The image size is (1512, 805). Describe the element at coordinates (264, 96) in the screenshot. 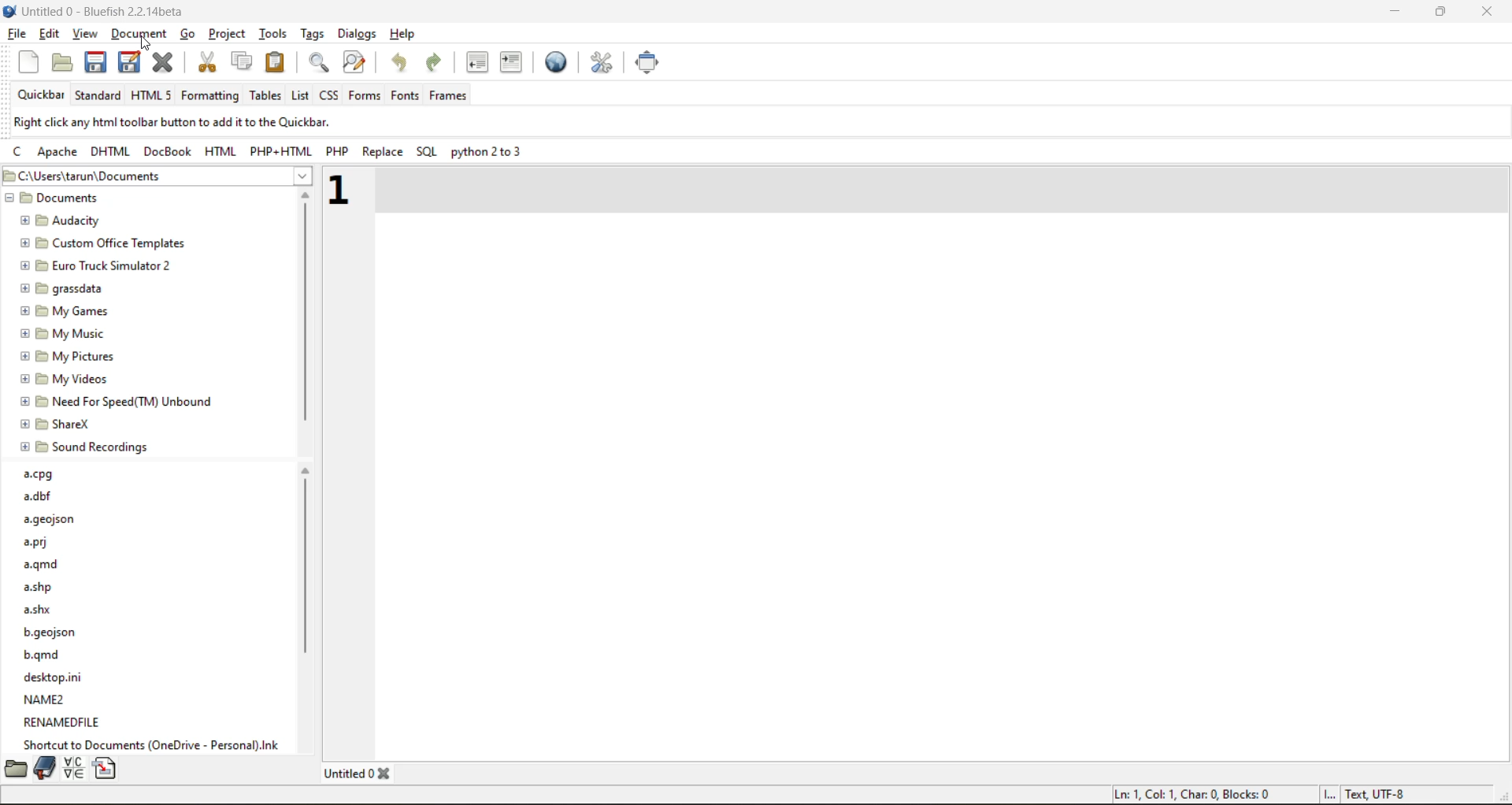

I see `tables` at that location.